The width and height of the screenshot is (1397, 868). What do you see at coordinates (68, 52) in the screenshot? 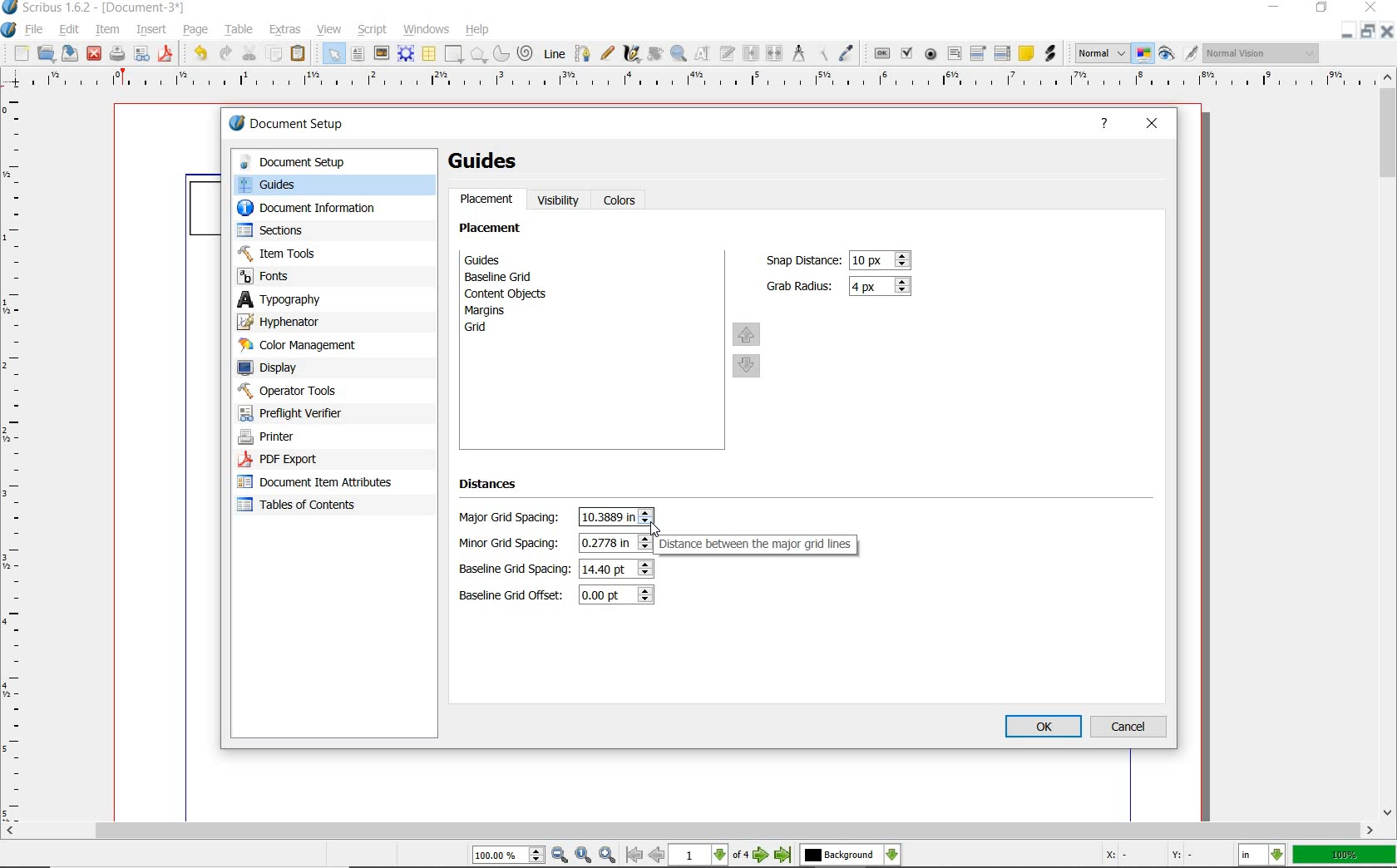
I see `save` at bounding box center [68, 52].